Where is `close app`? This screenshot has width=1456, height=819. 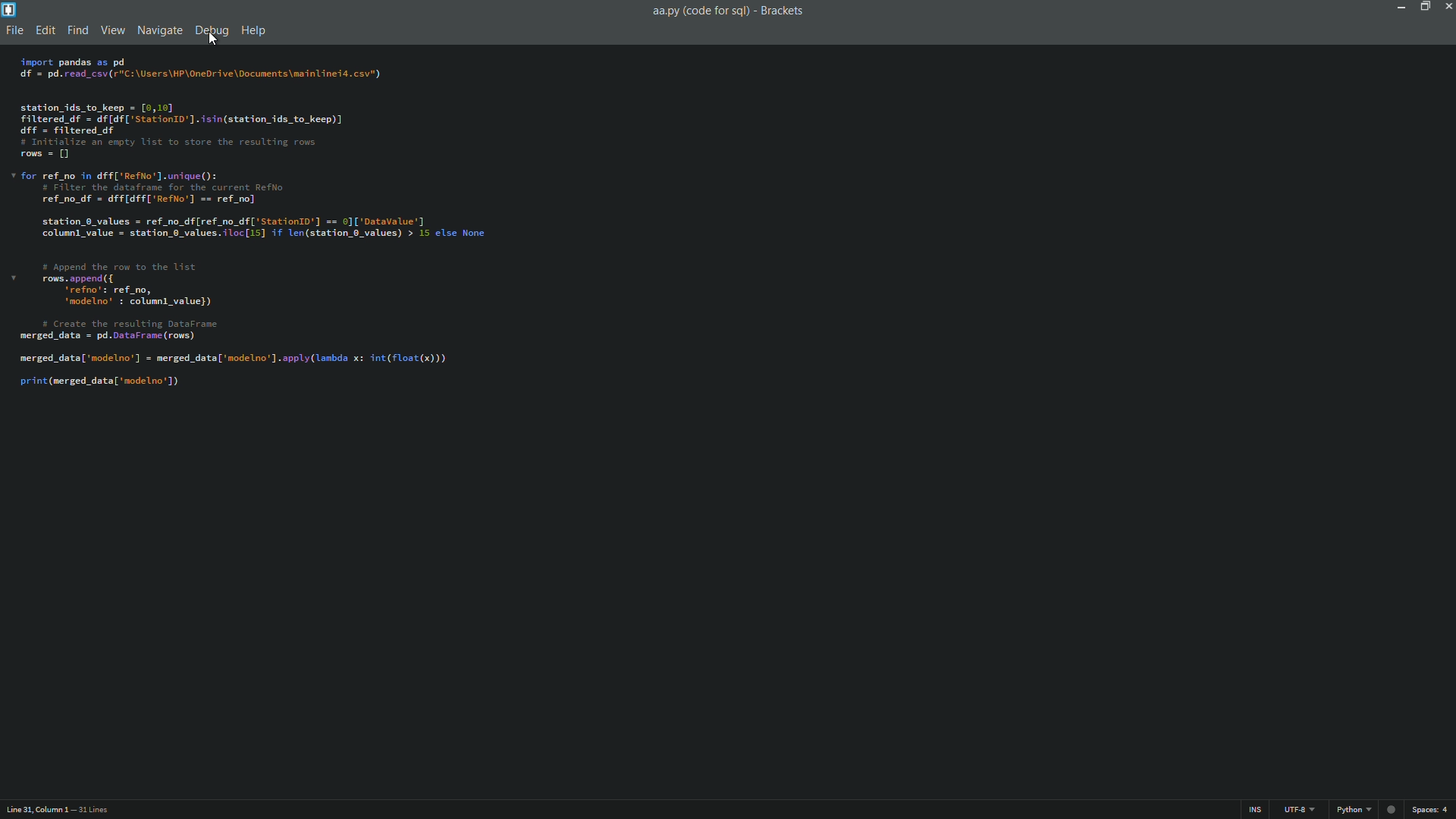
close app is located at coordinates (1447, 6).